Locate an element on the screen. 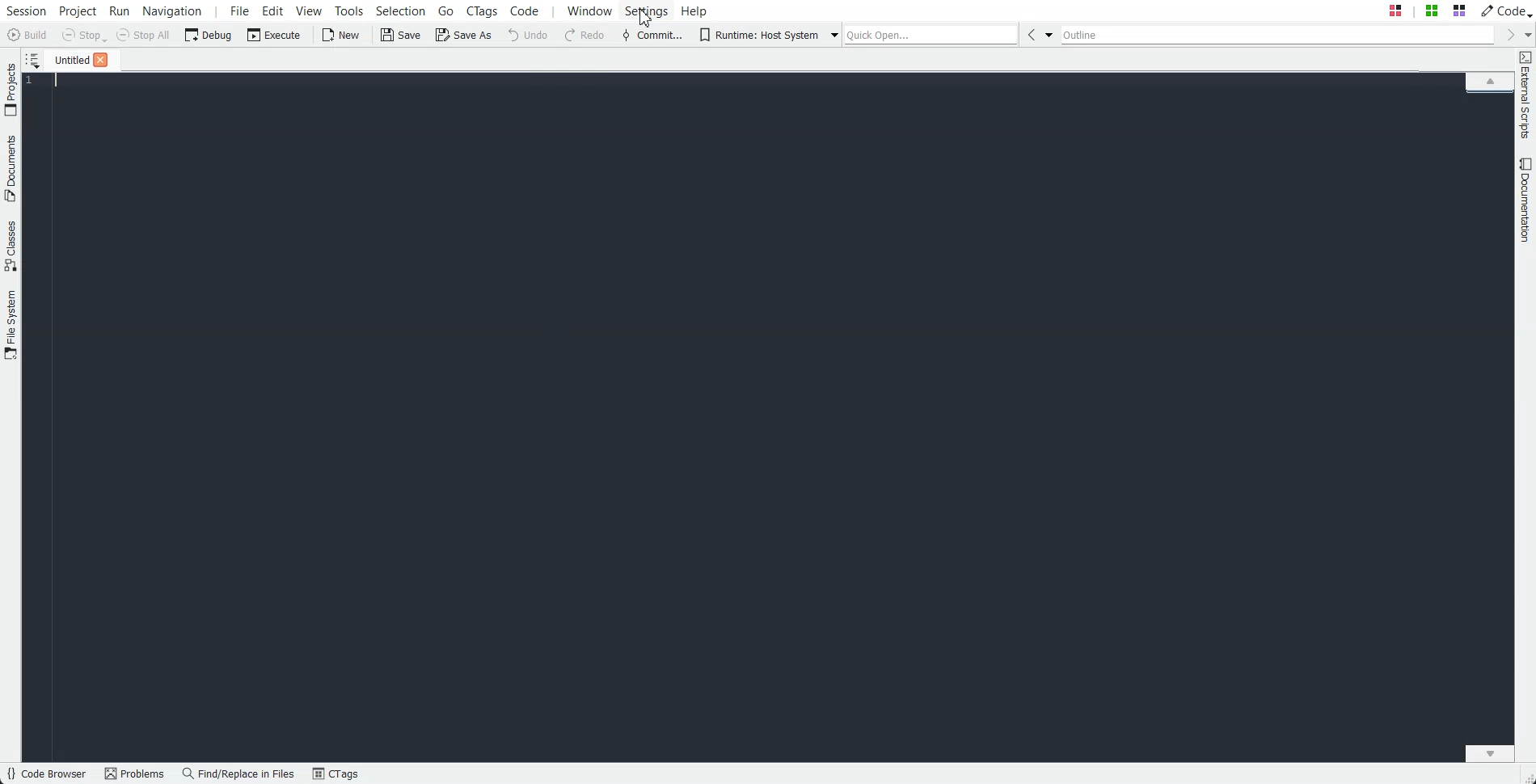 The height and width of the screenshot is (784, 1536). Code  is located at coordinates (1504, 10).